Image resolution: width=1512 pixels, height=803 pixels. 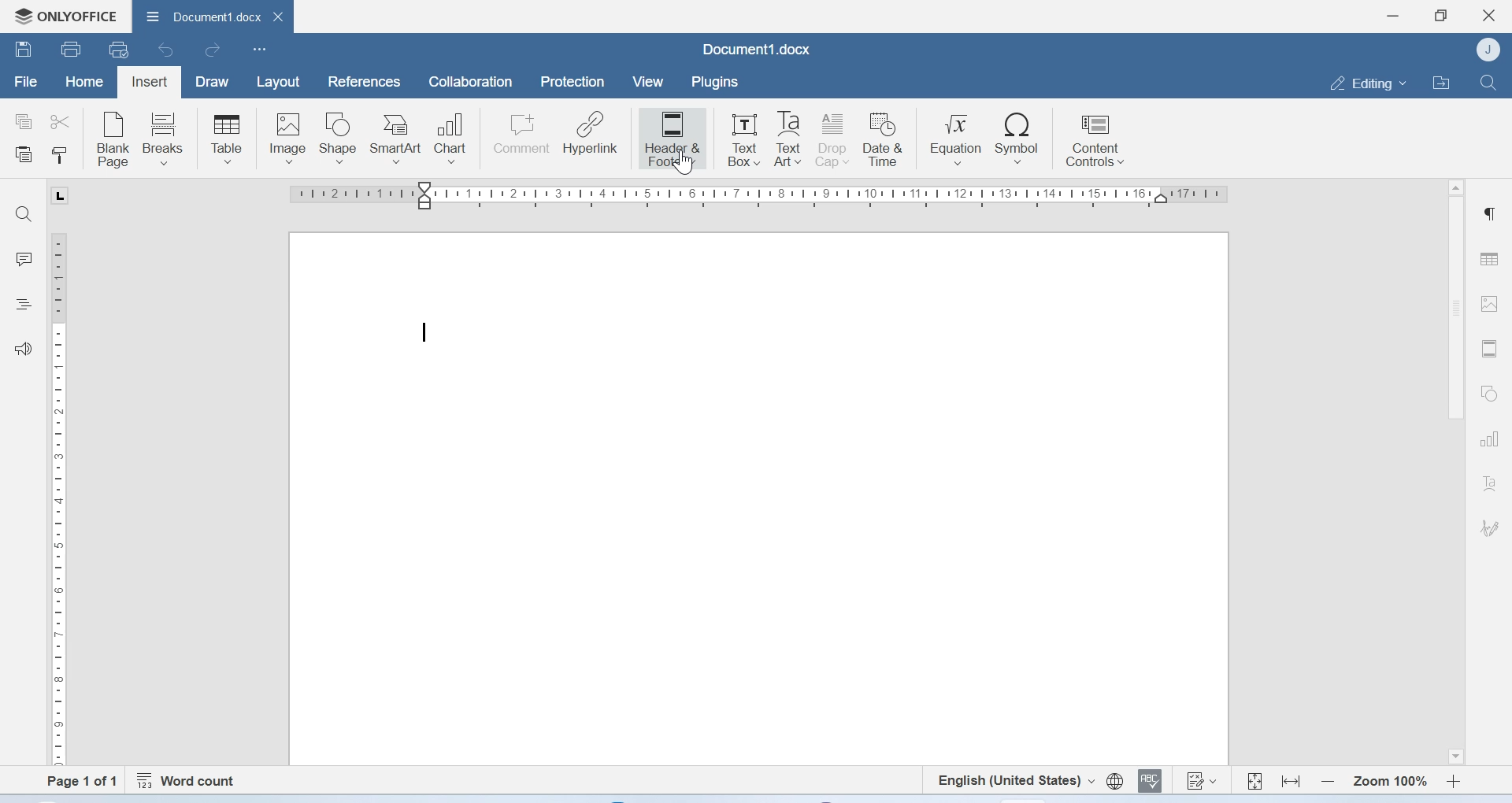 I want to click on Text, so click(x=1489, y=483).